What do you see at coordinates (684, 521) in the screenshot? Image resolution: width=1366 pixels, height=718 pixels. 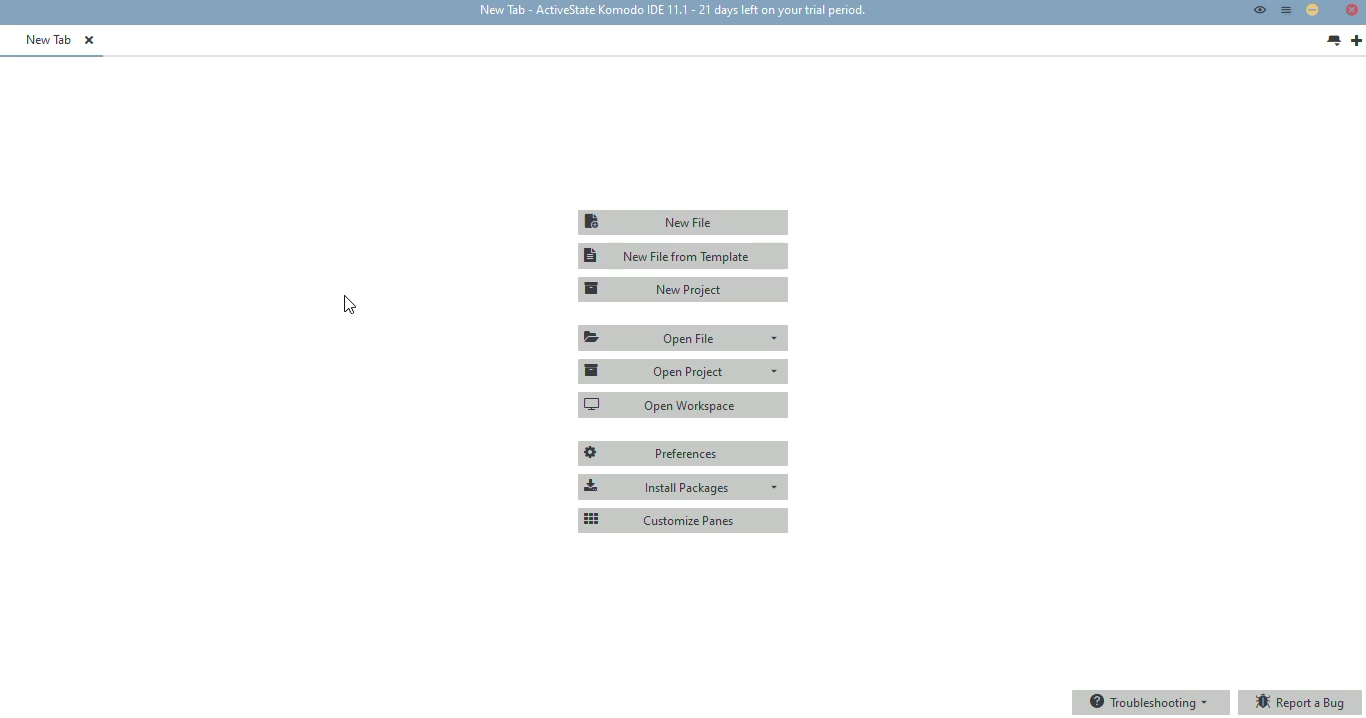 I see `customize panes` at bounding box center [684, 521].